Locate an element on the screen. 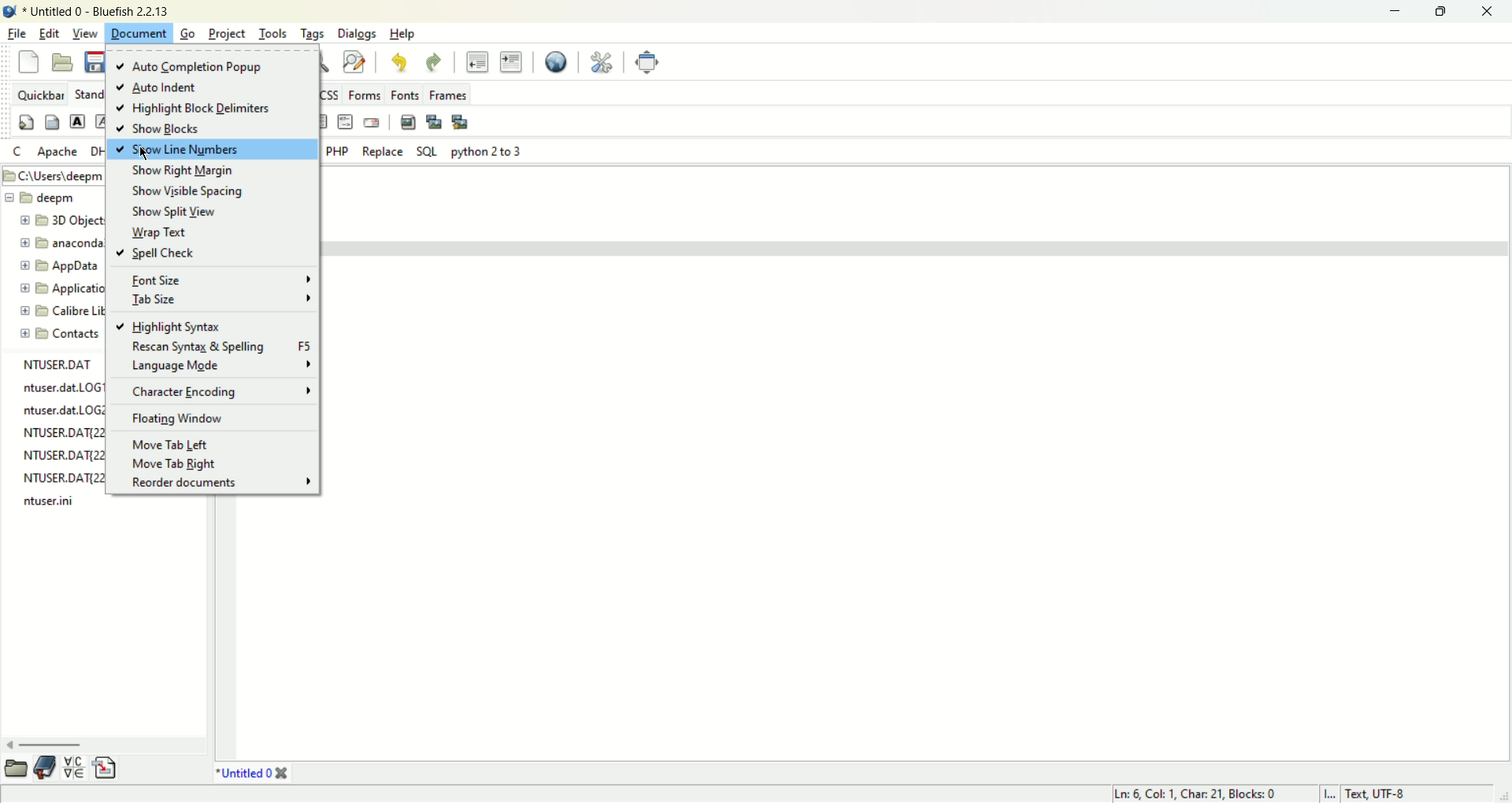 Image resolution: width=1512 pixels, height=803 pixels. application is located at coordinates (59, 290).